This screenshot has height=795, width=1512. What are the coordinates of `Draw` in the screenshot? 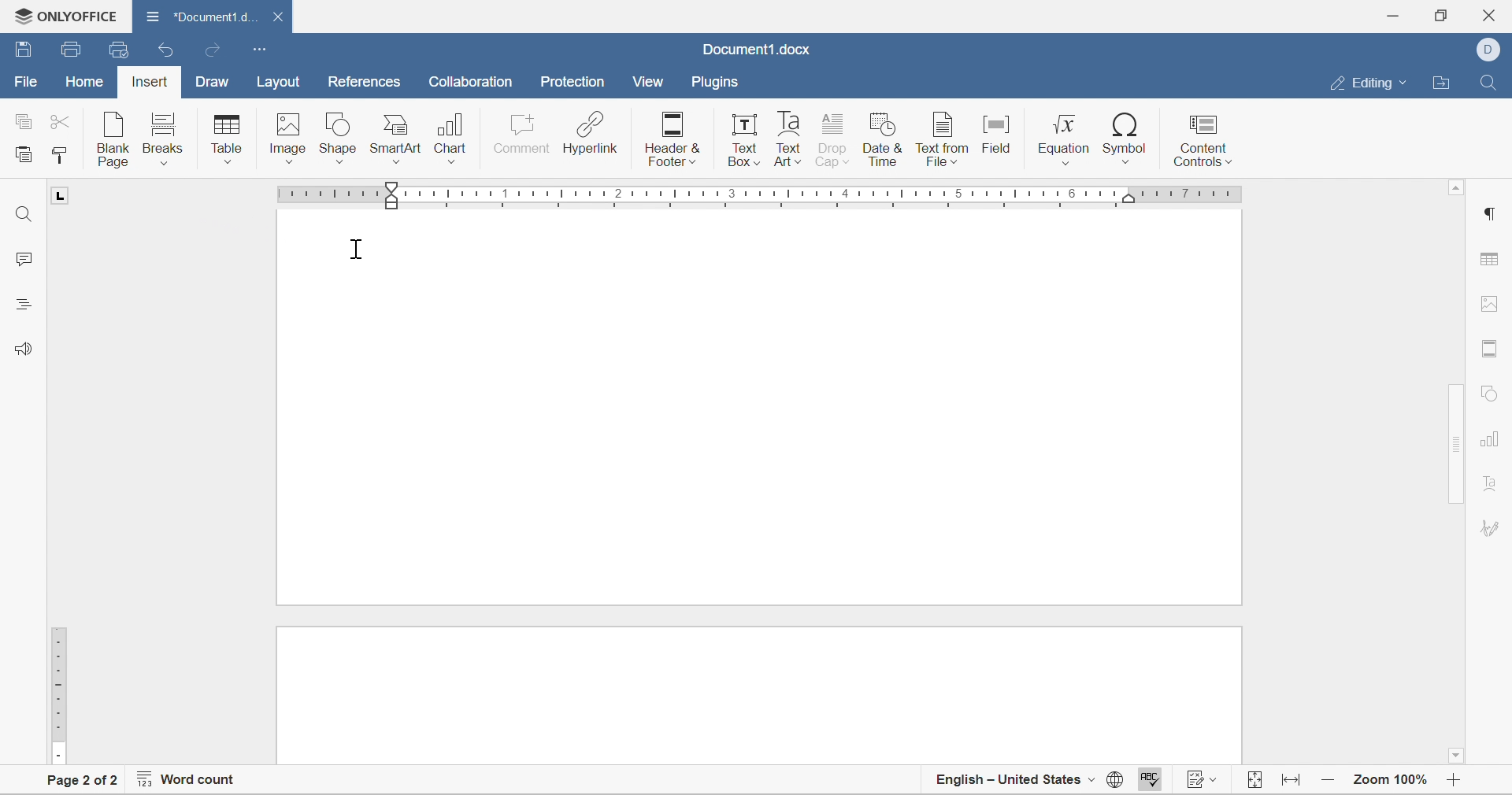 It's located at (214, 83).